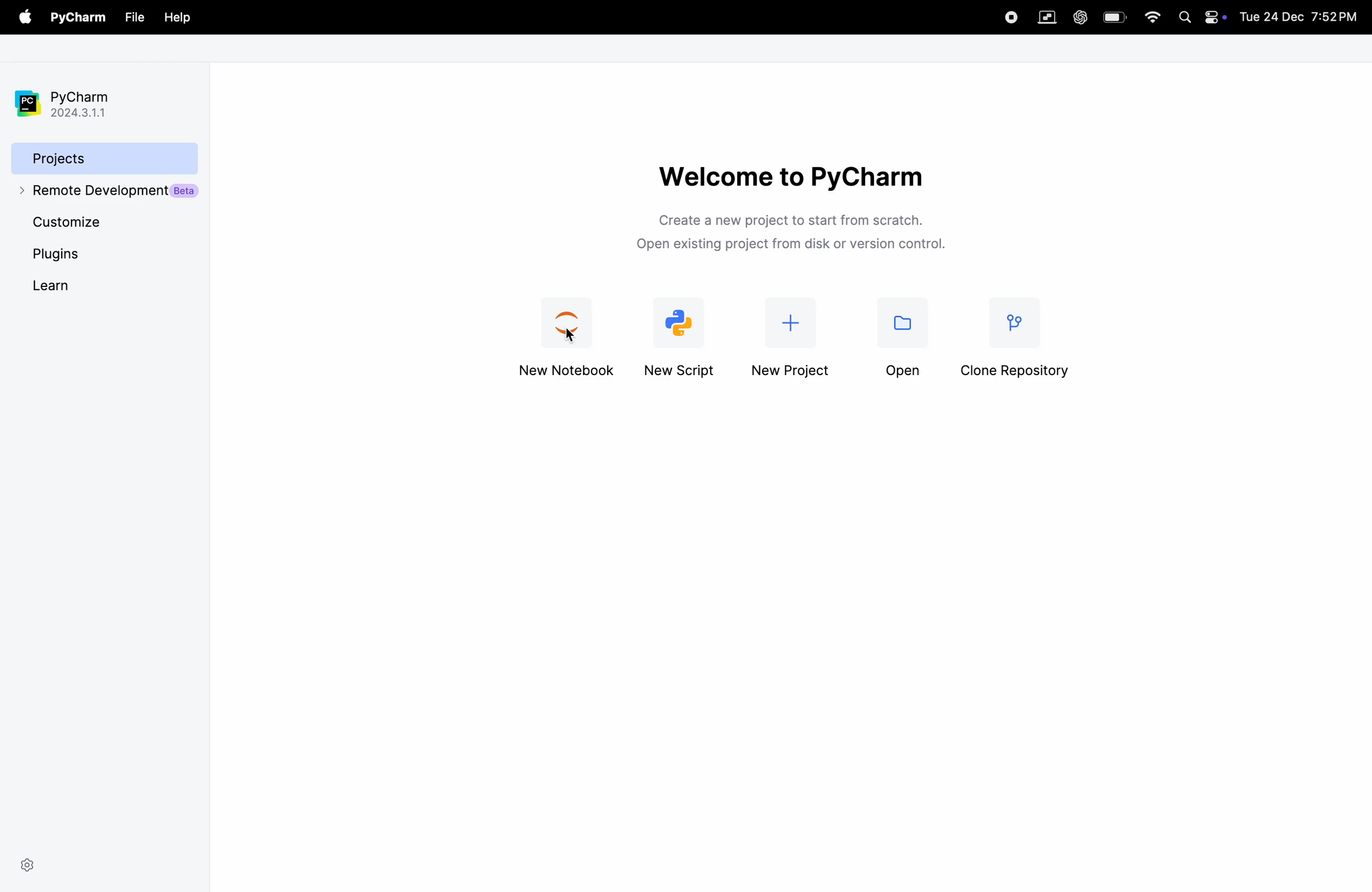 The width and height of the screenshot is (1372, 892). What do you see at coordinates (1045, 20) in the screenshot?
I see `parallel space` at bounding box center [1045, 20].